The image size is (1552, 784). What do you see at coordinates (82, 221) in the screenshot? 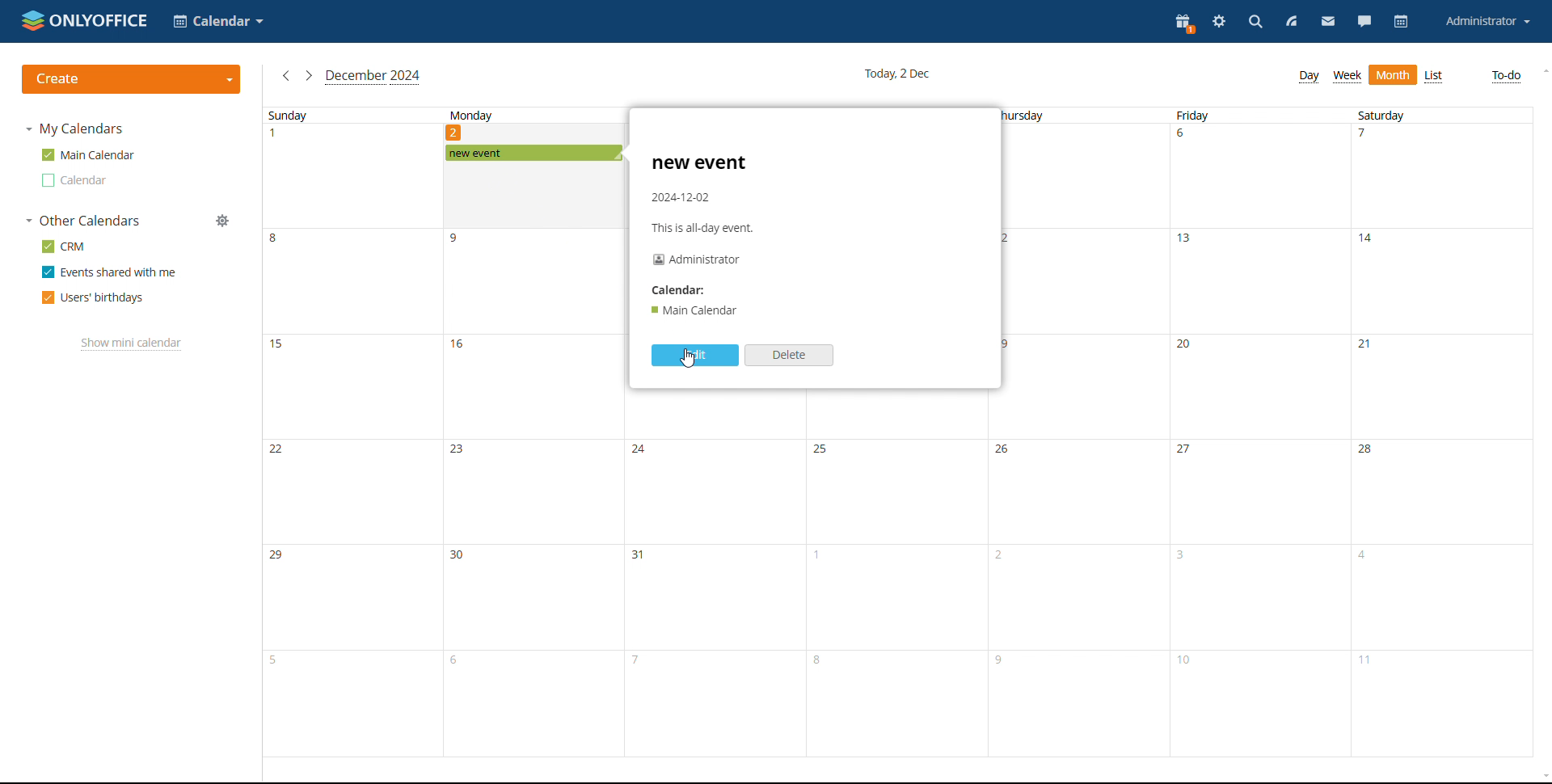
I see `other calendars` at bounding box center [82, 221].